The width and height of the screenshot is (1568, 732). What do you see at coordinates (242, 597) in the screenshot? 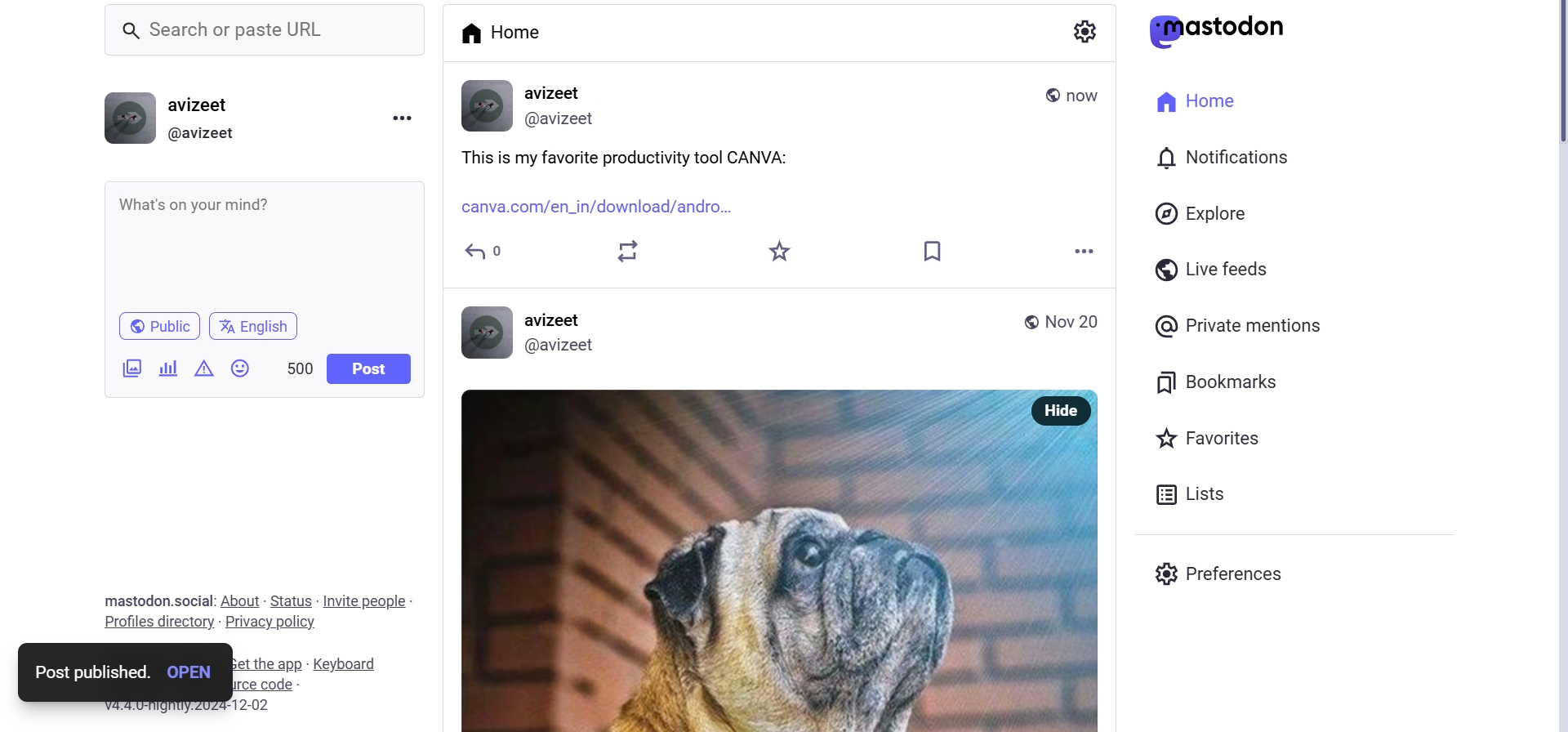
I see `about` at bounding box center [242, 597].